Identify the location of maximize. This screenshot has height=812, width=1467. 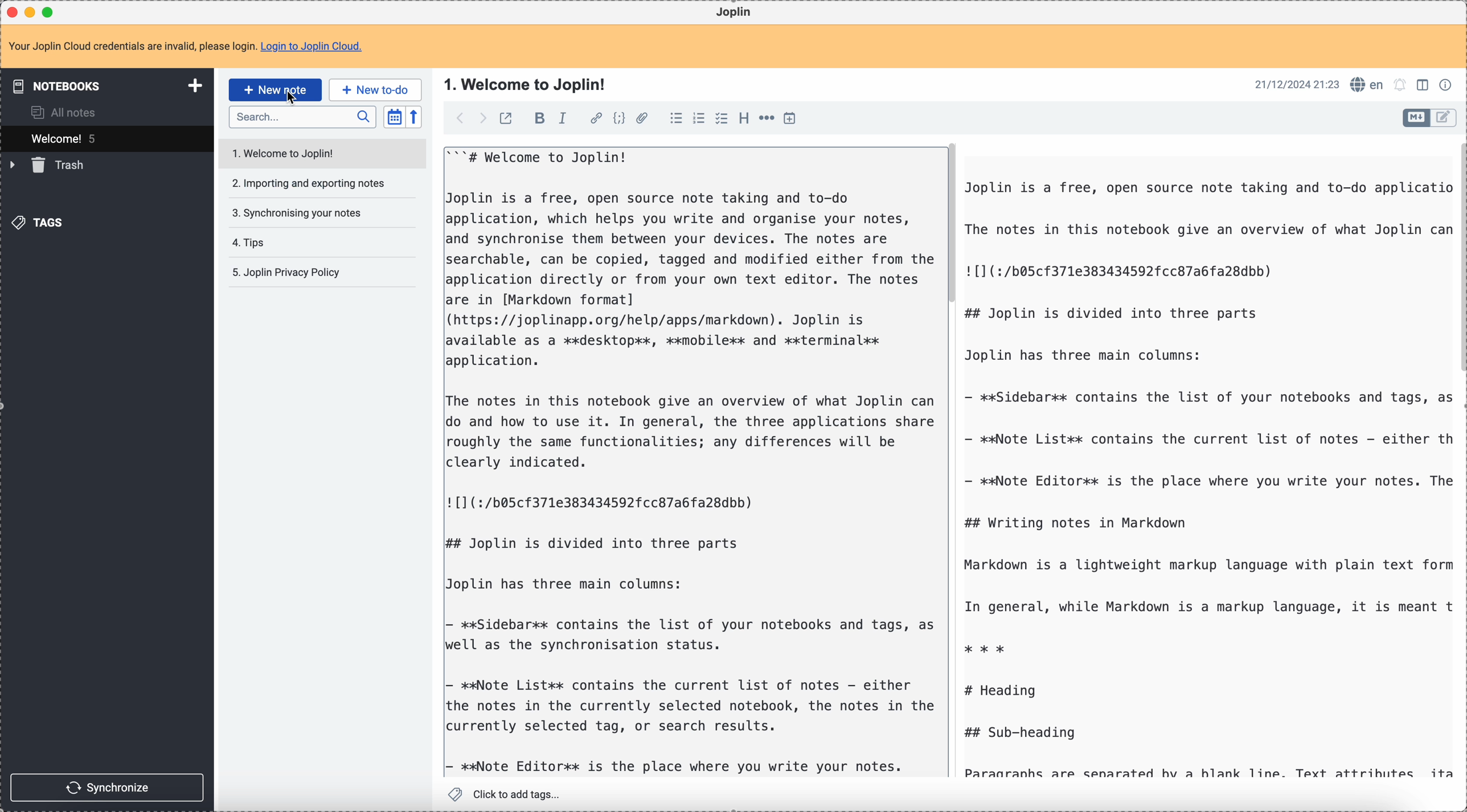
(51, 11).